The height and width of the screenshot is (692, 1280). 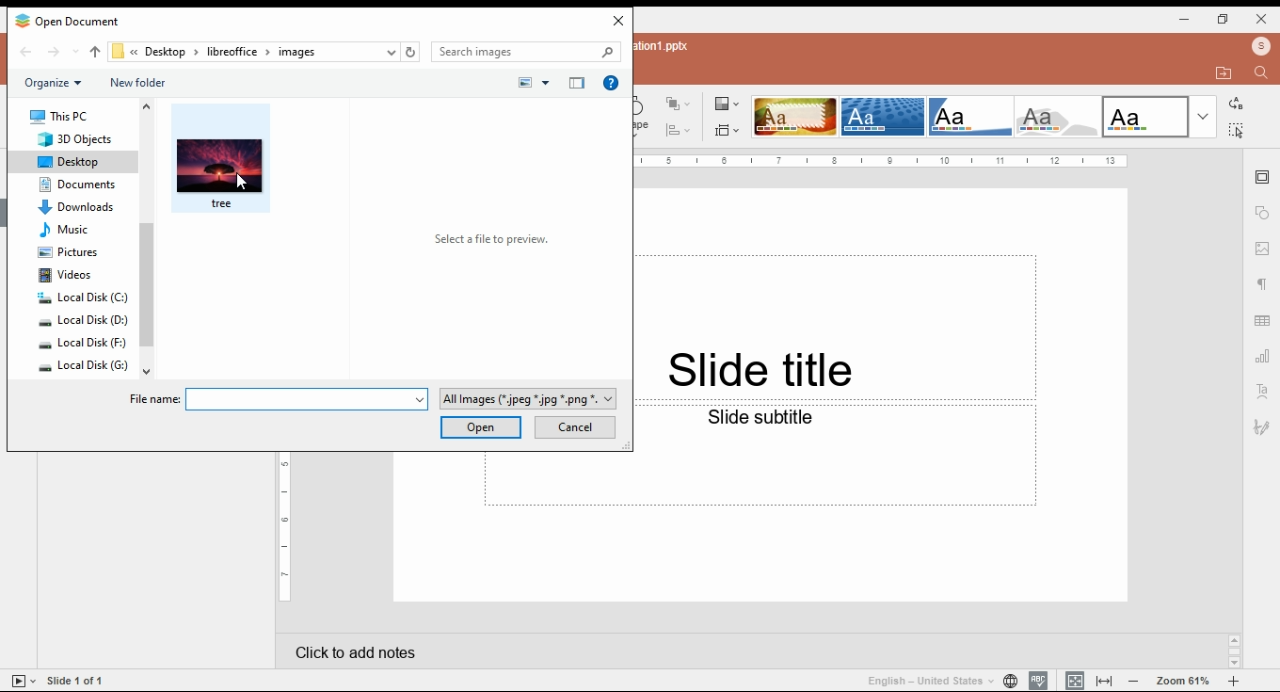 I want to click on file path, so click(x=116, y=49).